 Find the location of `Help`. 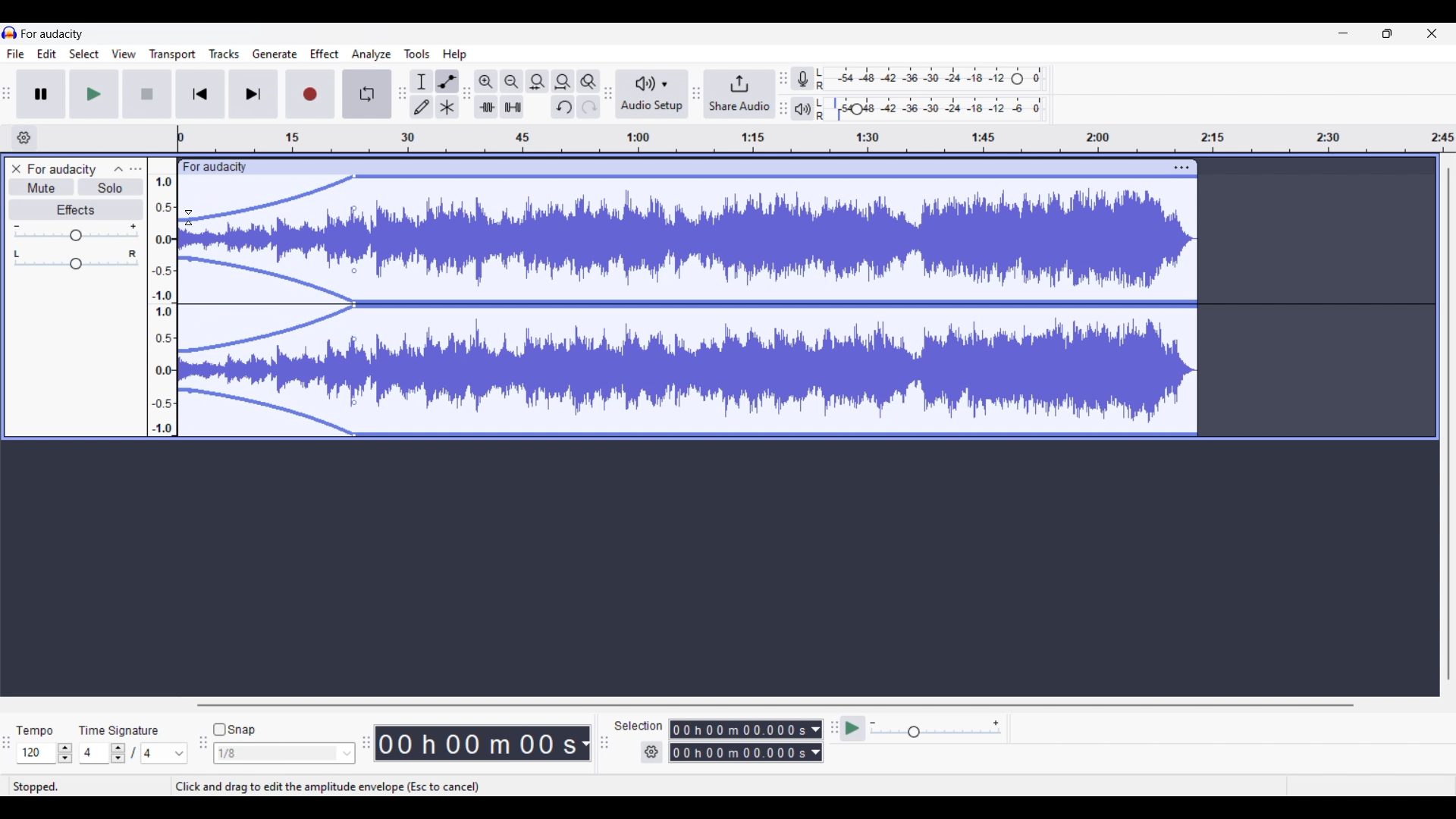

Help is located at coordinates (454, 55).